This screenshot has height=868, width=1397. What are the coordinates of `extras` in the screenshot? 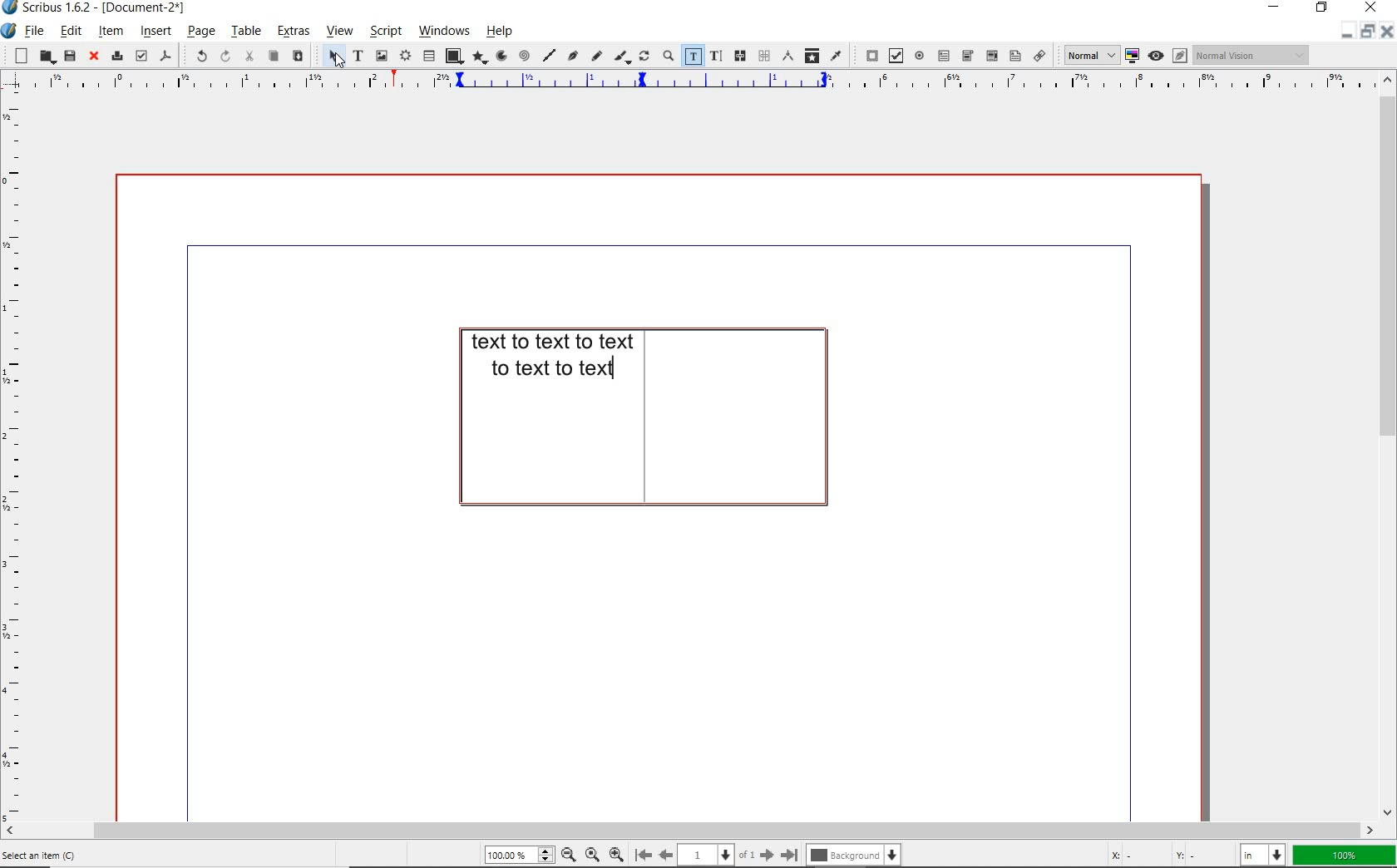 It's located at (294, 32).